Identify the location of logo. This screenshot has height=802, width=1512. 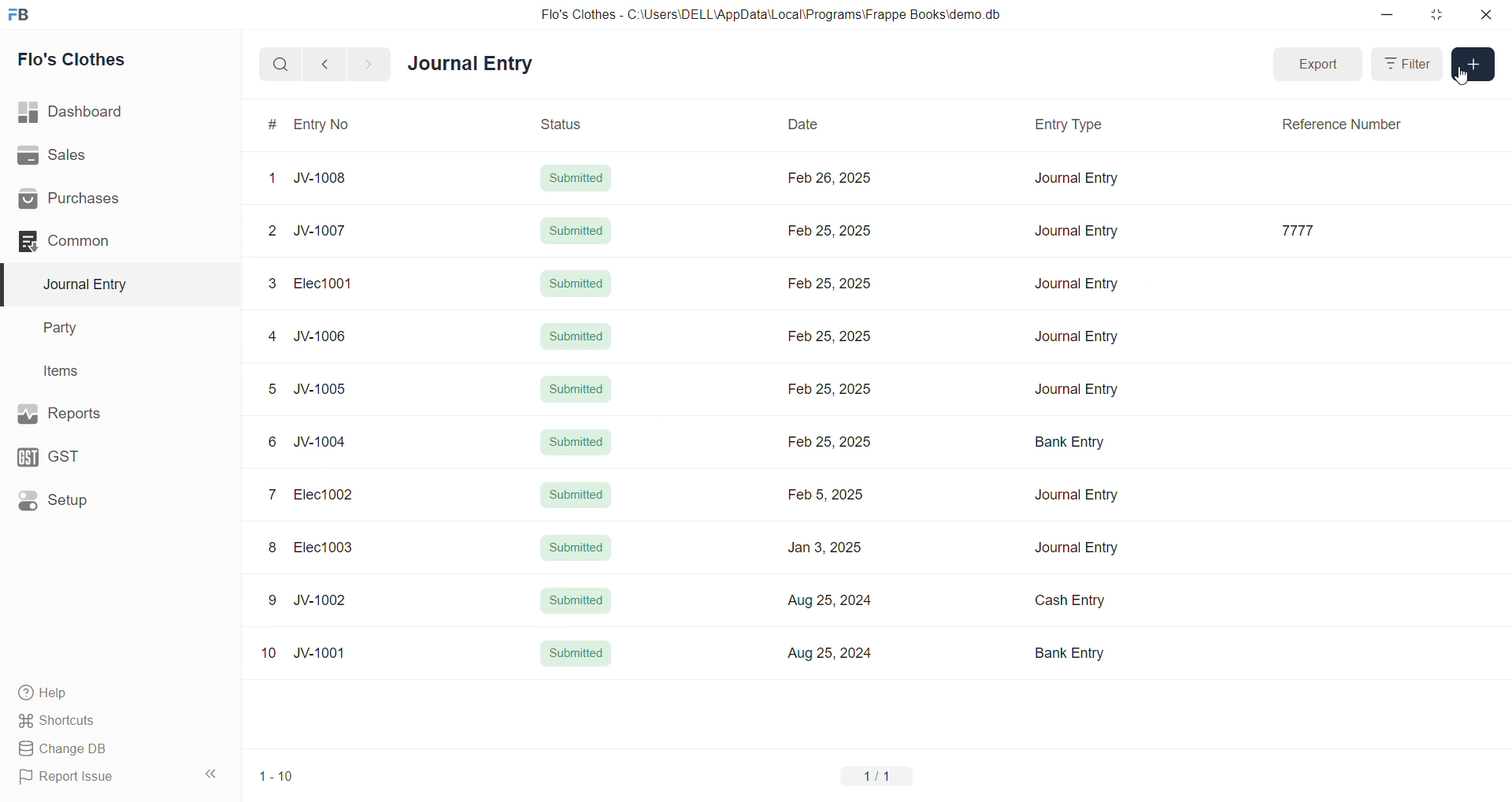
(24, 13).